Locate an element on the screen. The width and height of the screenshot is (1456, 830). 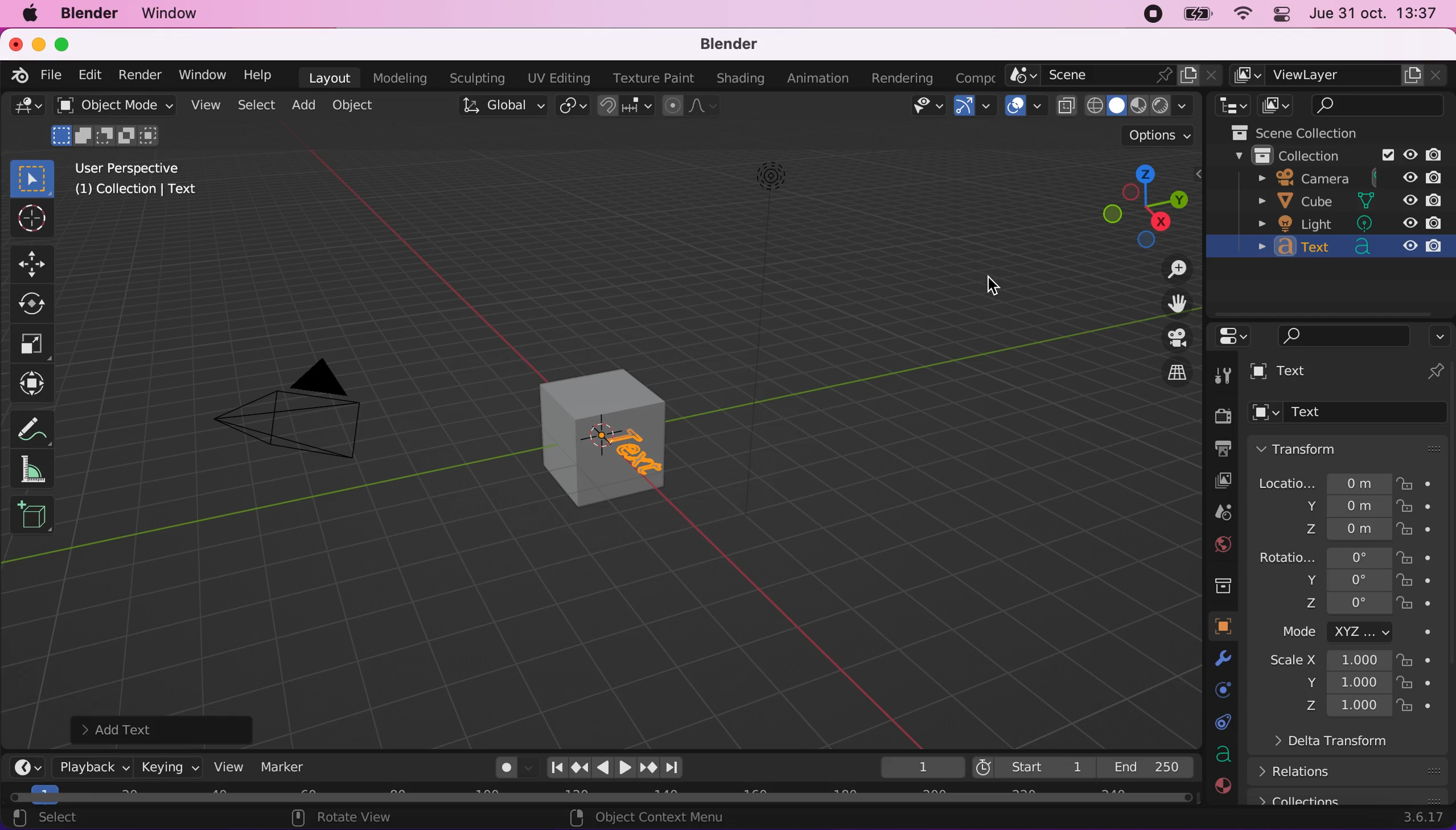
lock button is located at coordinates (1416, 506).